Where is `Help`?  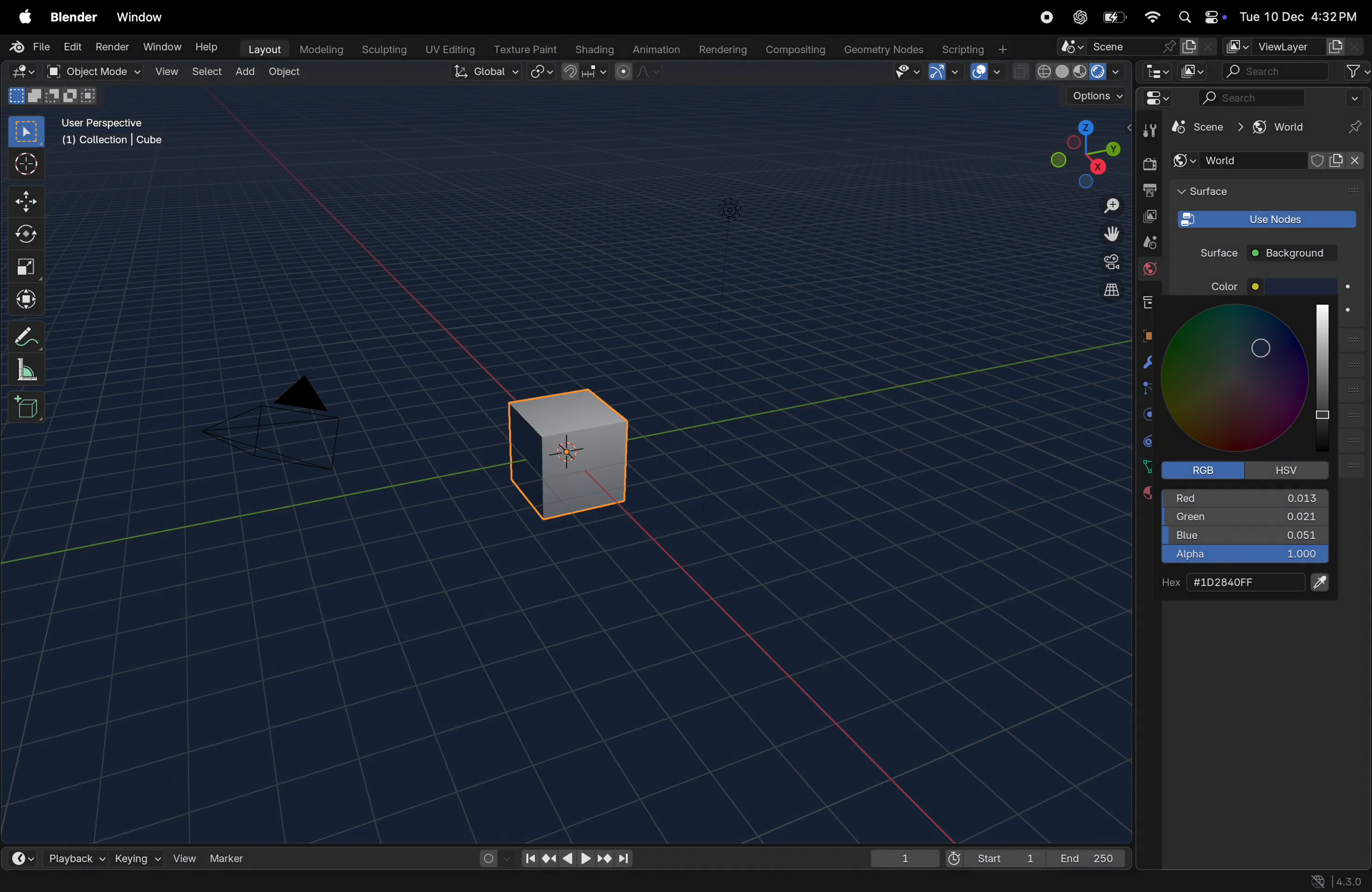 Help is located at coordinates (206, 44).